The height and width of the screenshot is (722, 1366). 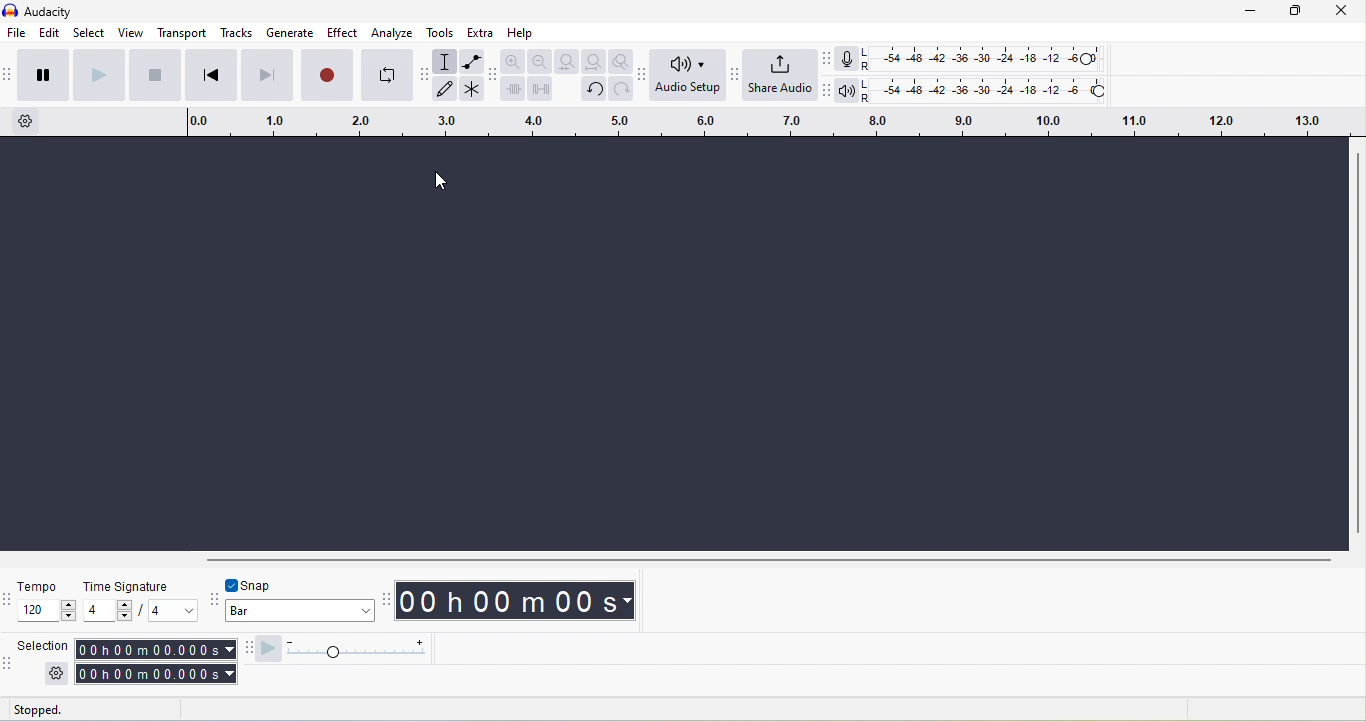 I want to click on play, so click(x=104, y=75).